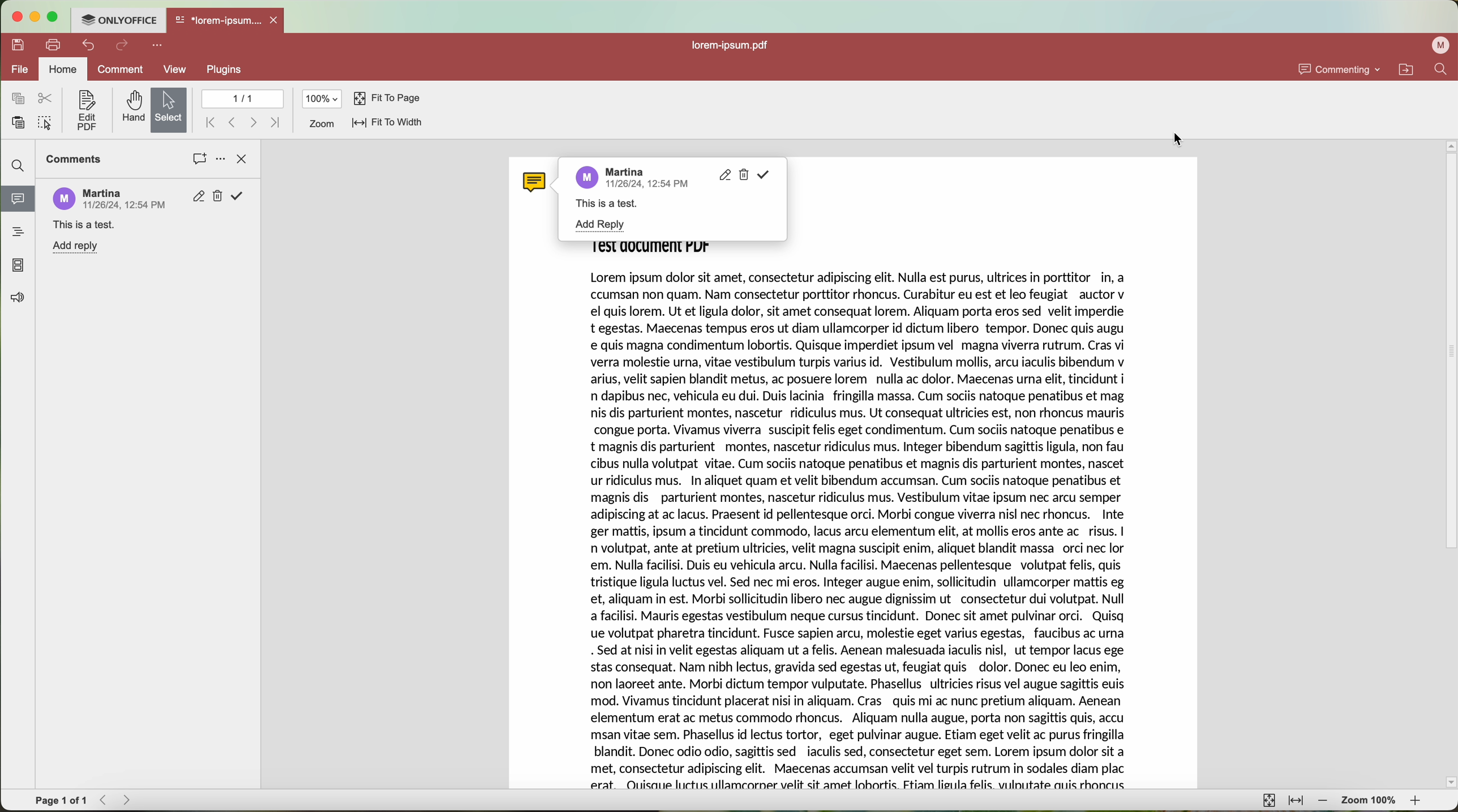  What do you see at coordinates (387, 124) in the screenshot?
I see `fit to width` at bounding box center [387, 124].